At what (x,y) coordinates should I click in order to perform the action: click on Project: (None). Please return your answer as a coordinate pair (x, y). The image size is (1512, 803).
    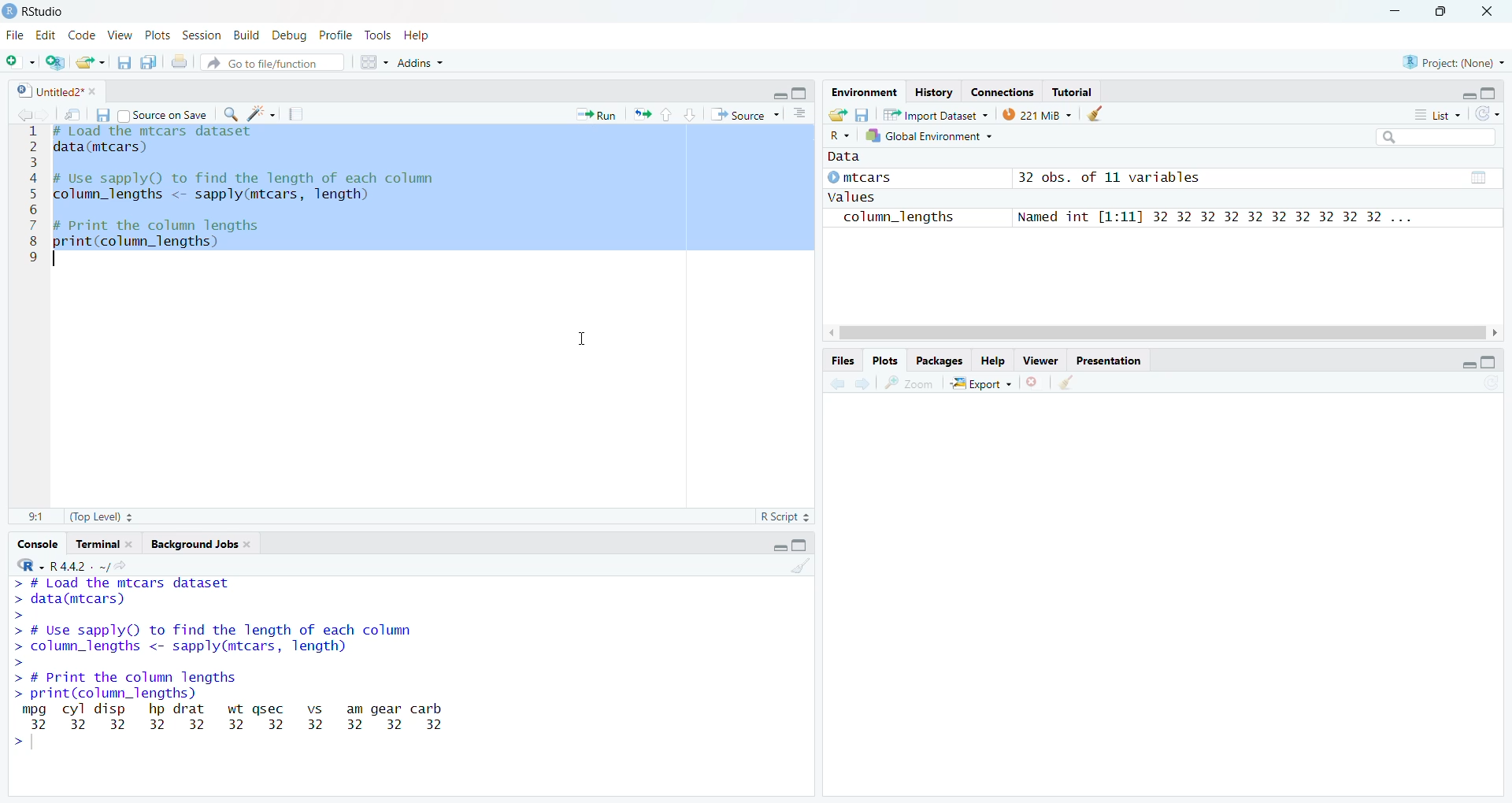
    Looking at the image, I should click on (1452, 61).